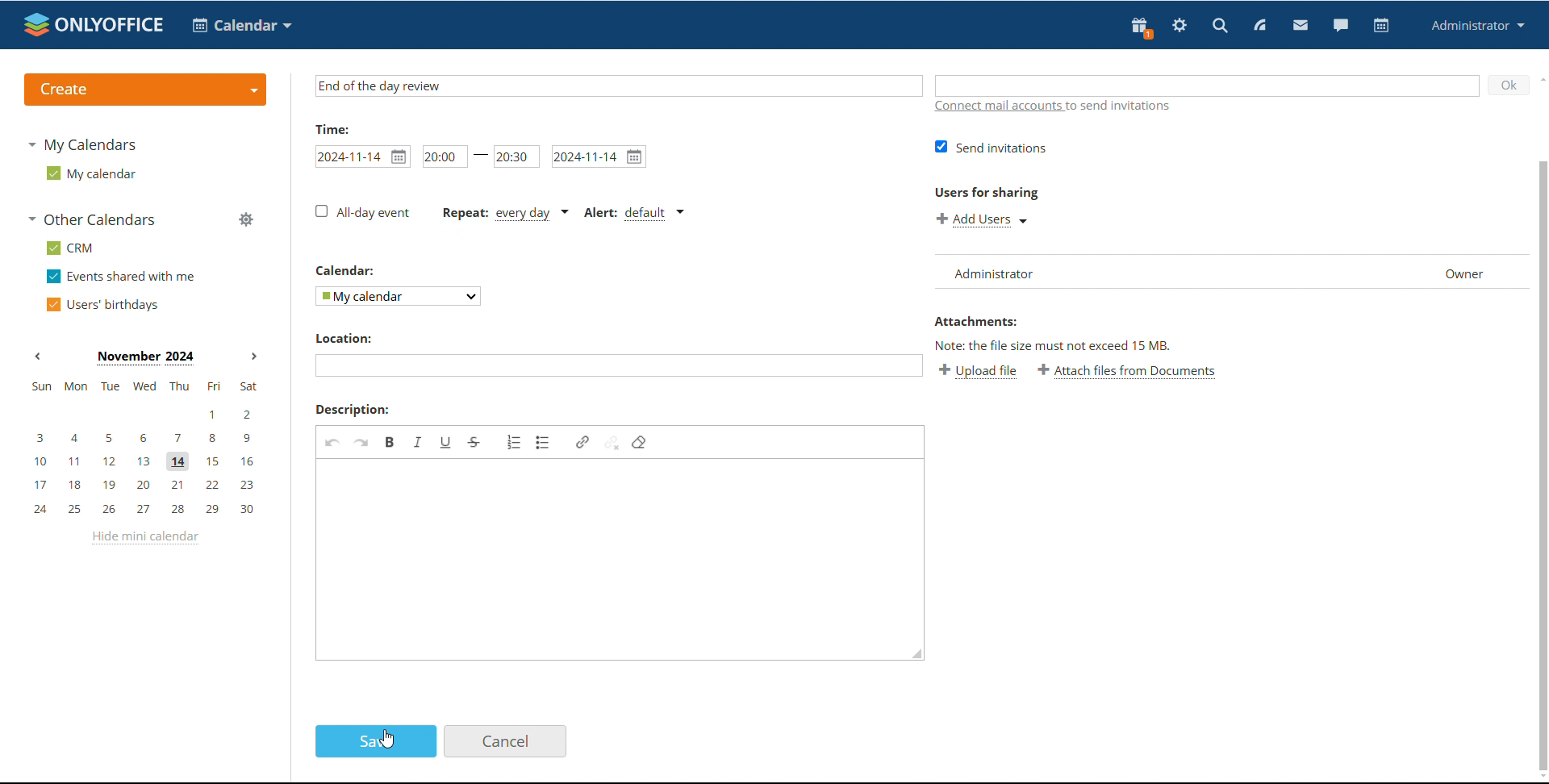 The width and height of the screenshot is (1549, 784). Describe the element at coordinates (987, 193) in the screenshot. I see `Users for sharing` at that location.